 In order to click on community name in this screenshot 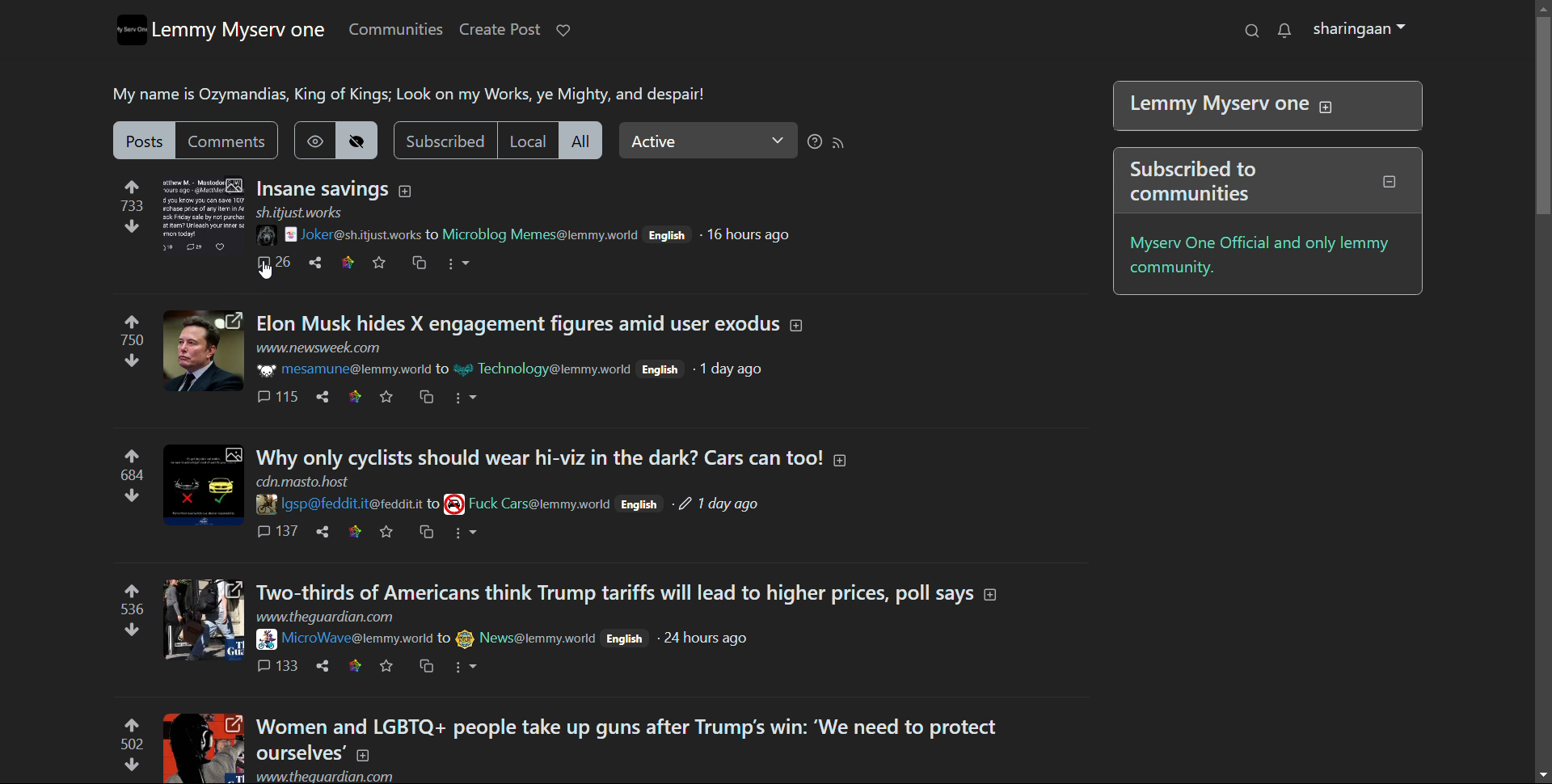, I will do `click(542, 234)`.